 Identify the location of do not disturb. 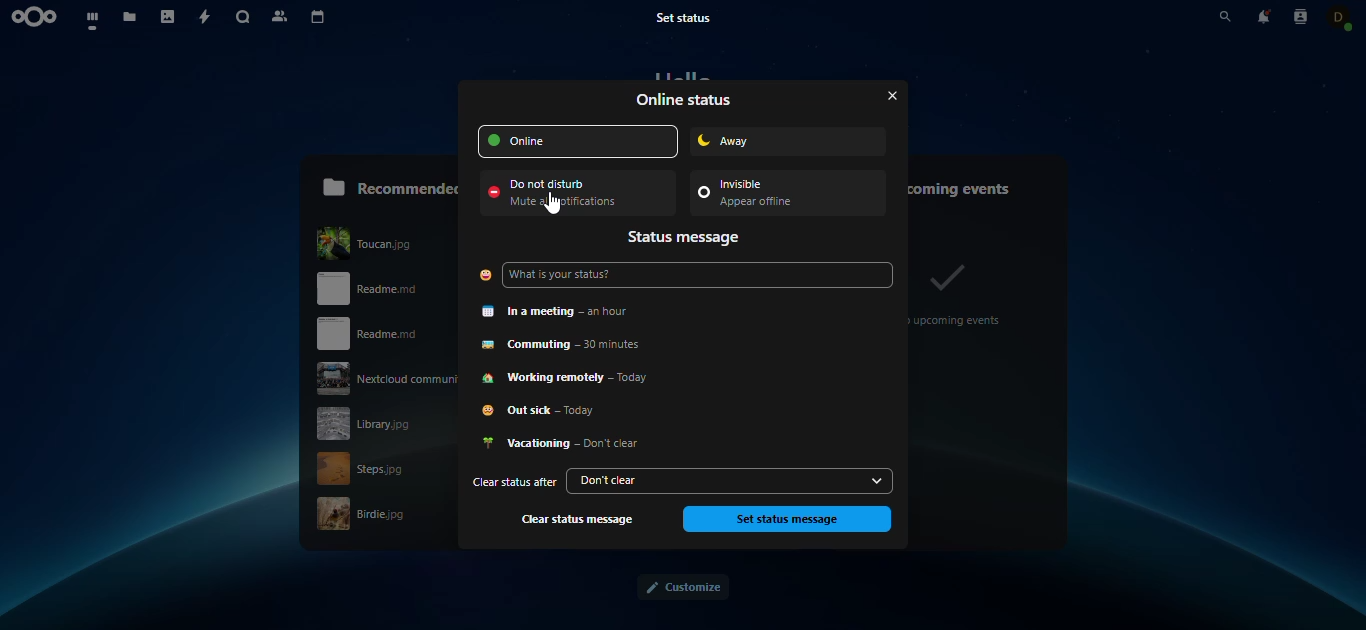
(570, 193).